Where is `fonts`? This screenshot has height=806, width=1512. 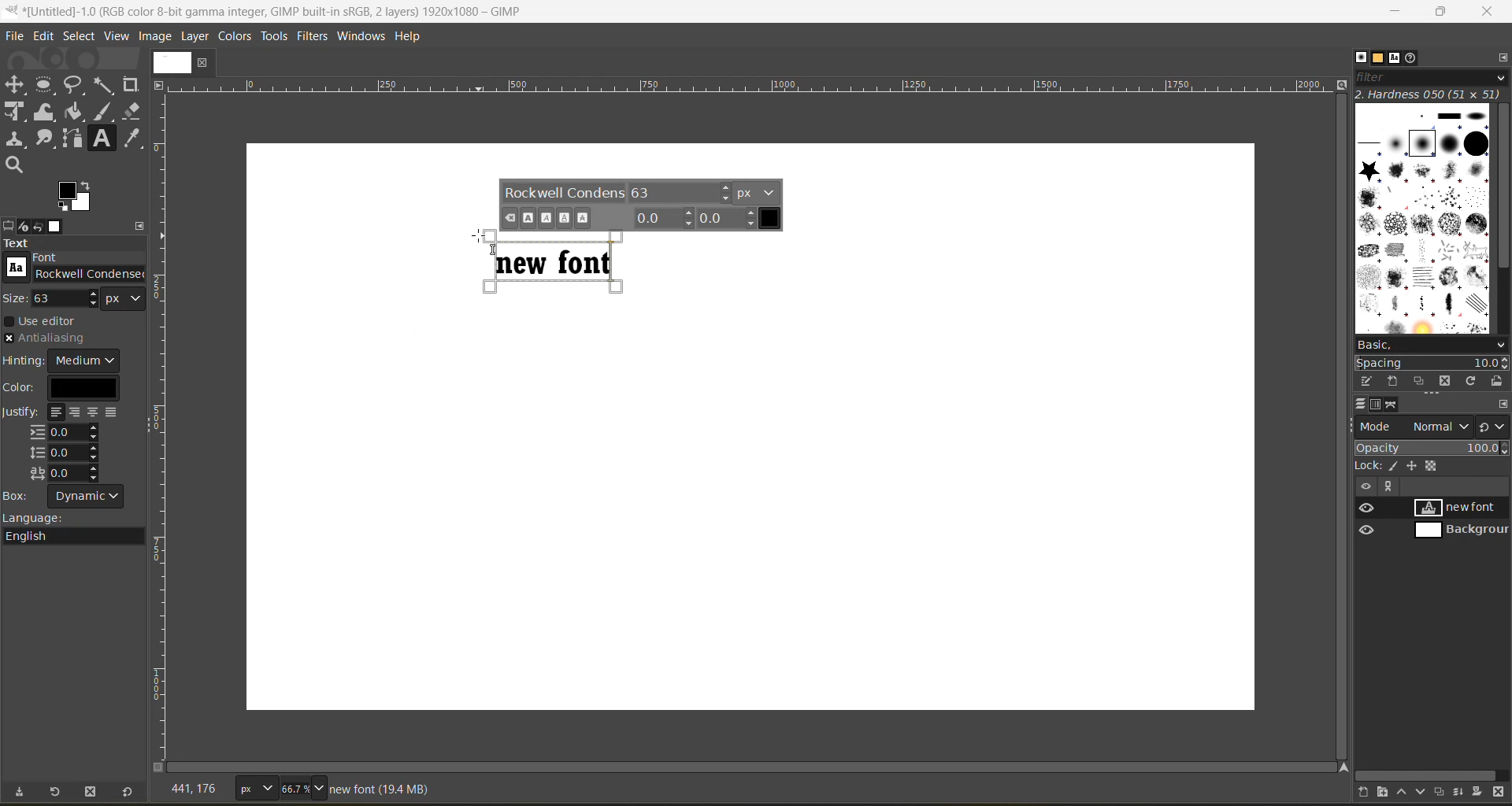 fonts is located at coordinates (1397, 58).